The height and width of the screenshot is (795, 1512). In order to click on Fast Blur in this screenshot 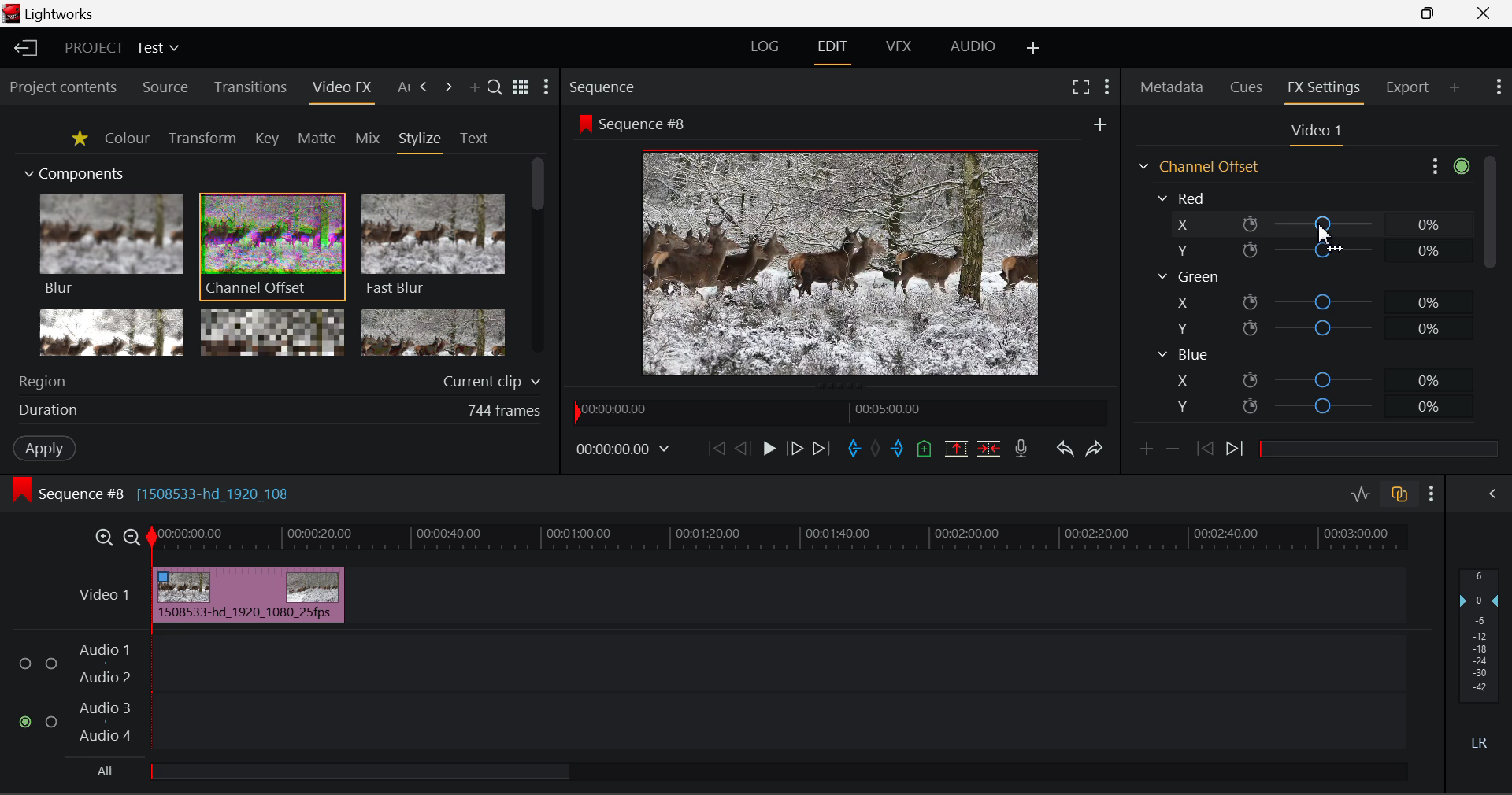, I will do `click(434, 246)`.